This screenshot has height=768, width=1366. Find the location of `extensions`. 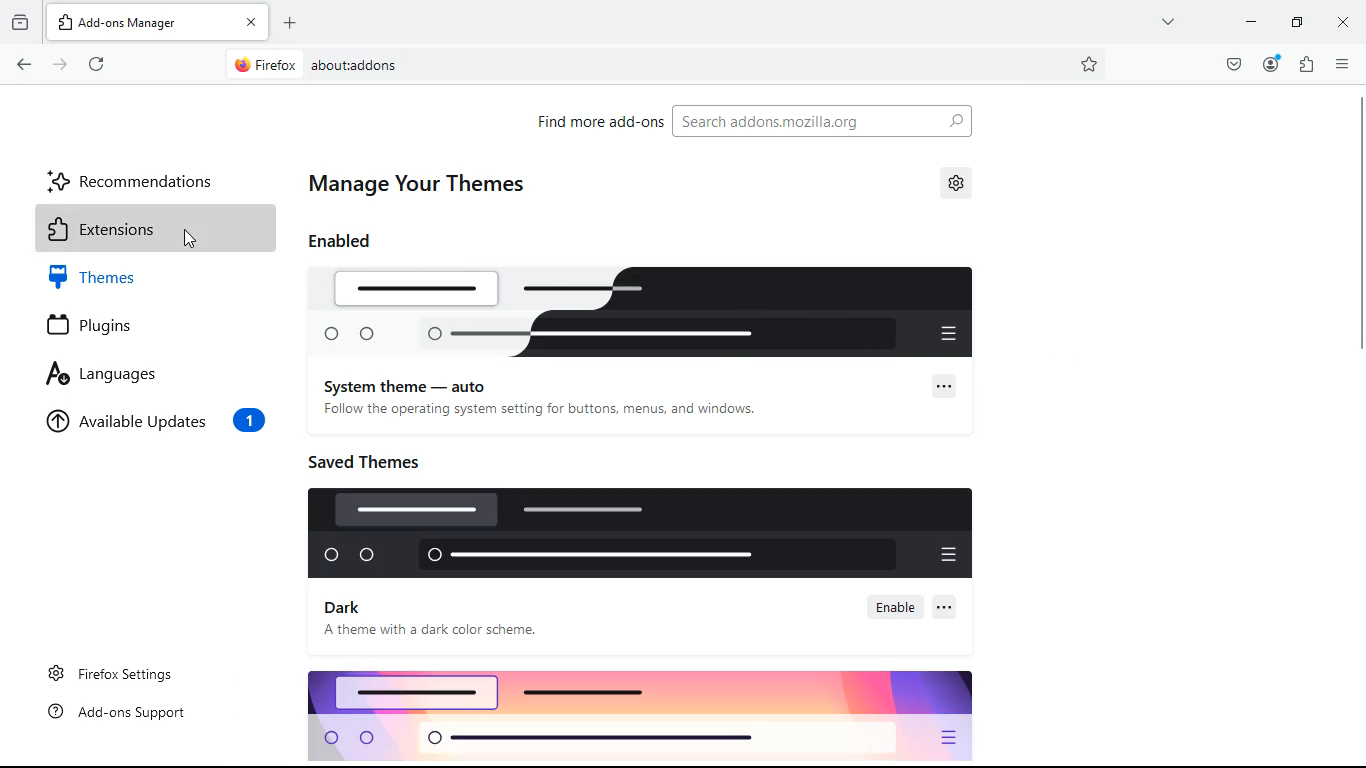

extensions is located at coordinates (1309, 63).